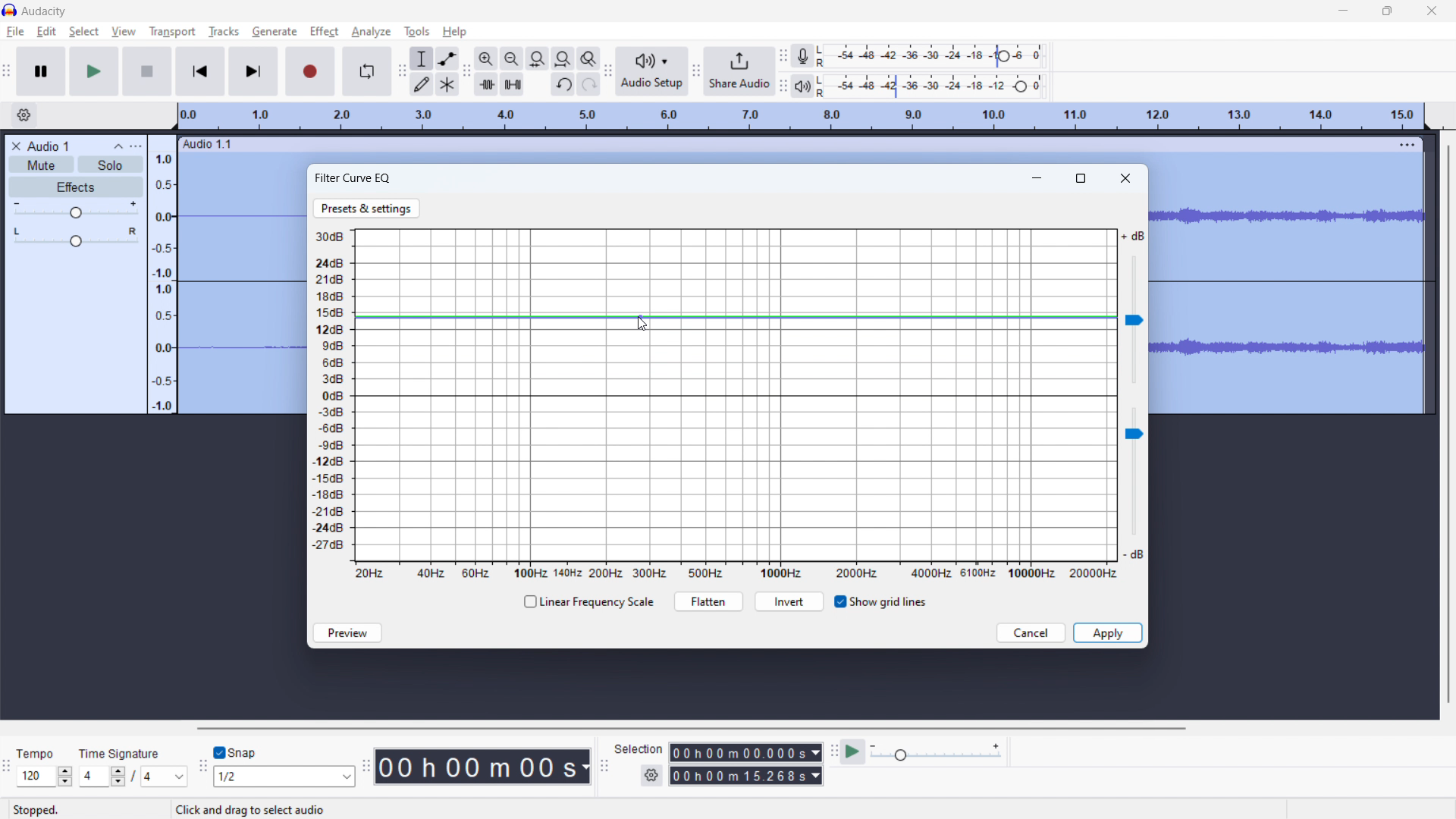 This screenshot has width=1456, height=819. I want to click on share audio toolbar, so click(697, 71).